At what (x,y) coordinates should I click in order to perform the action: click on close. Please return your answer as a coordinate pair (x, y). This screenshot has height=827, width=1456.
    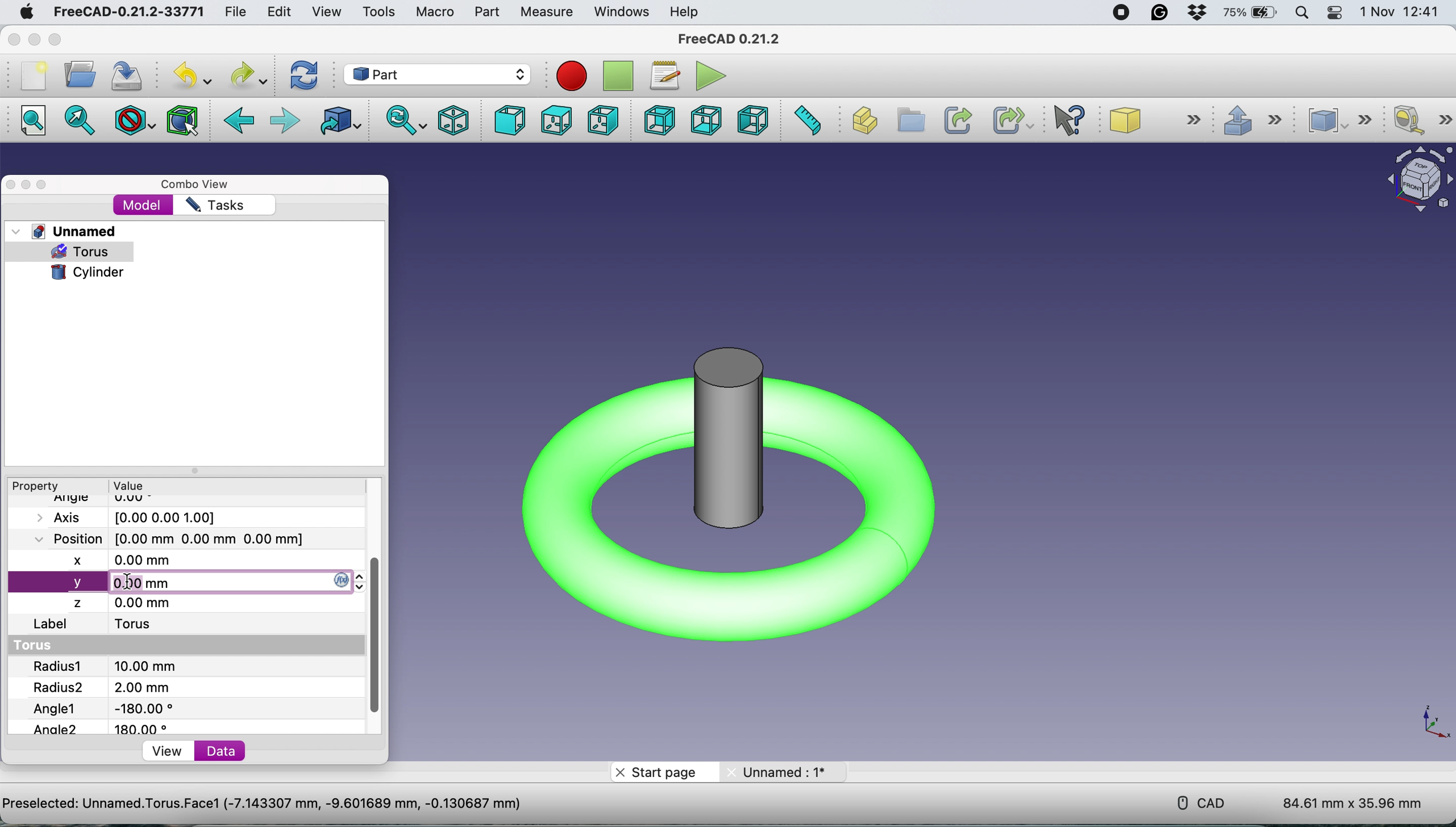
    Looking at the image, I should click on (12, 183).